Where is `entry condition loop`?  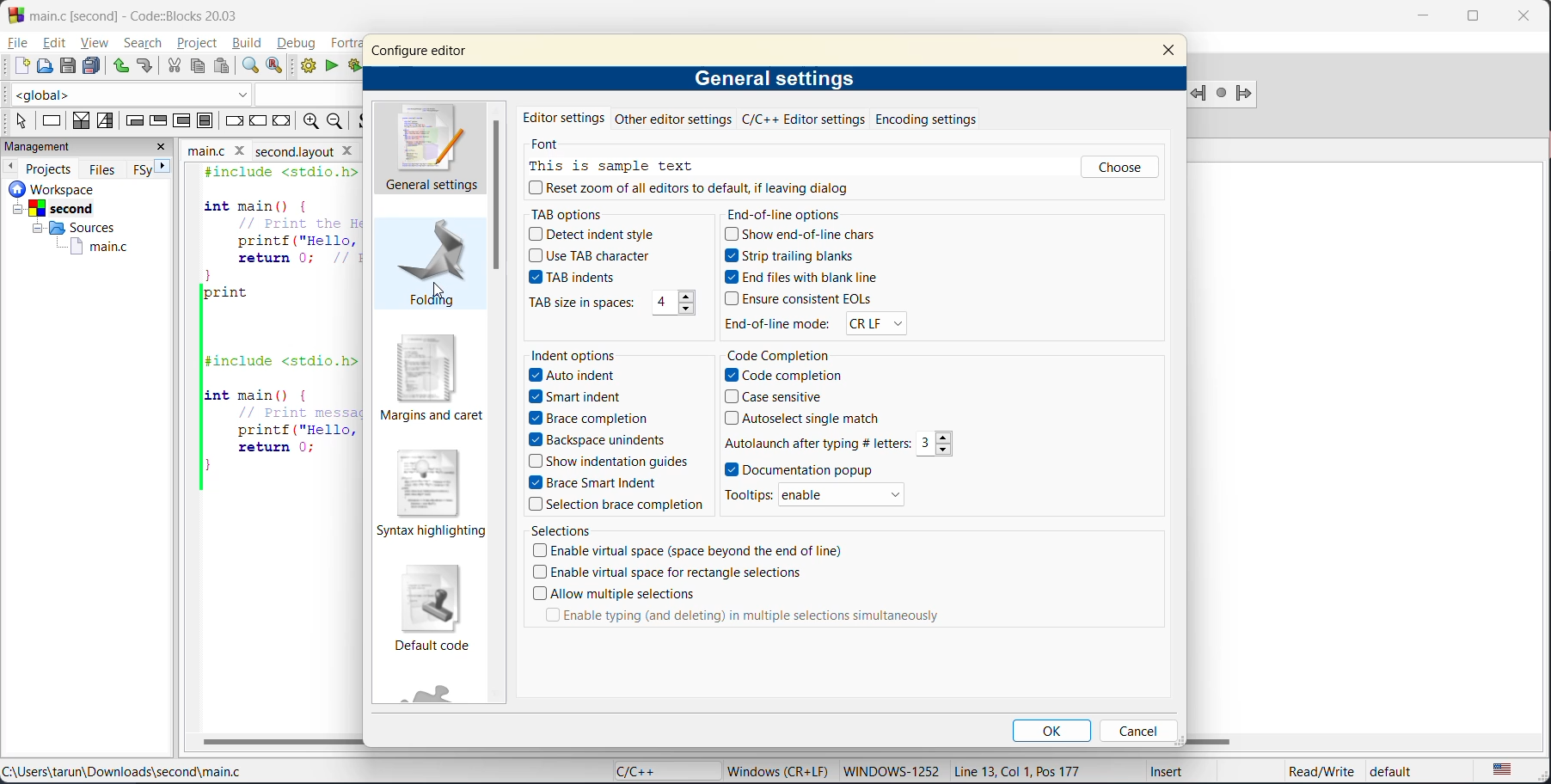
entry condition loop is located at coordinates (133, 119).